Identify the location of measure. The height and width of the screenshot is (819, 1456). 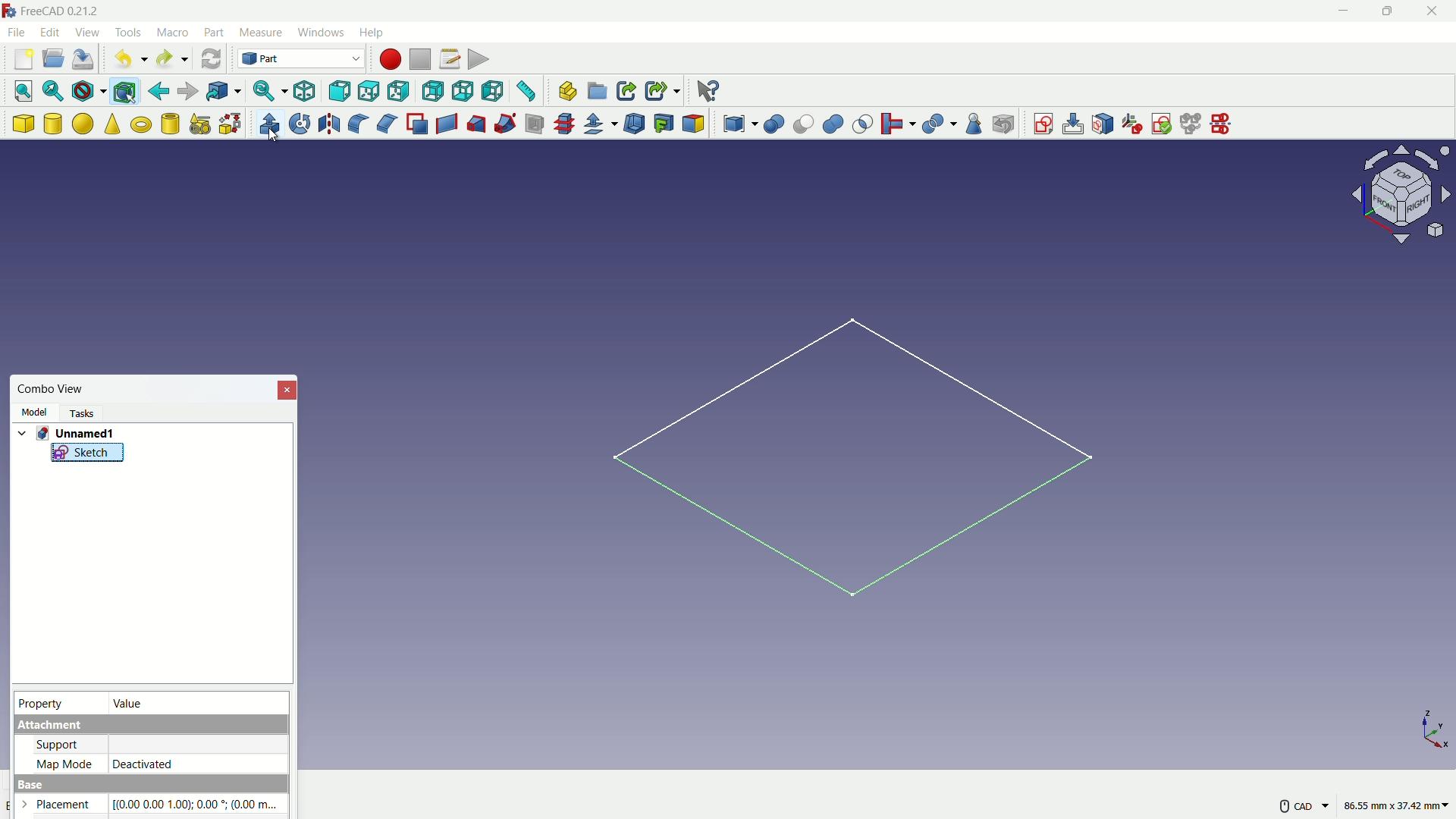
(528, 91).